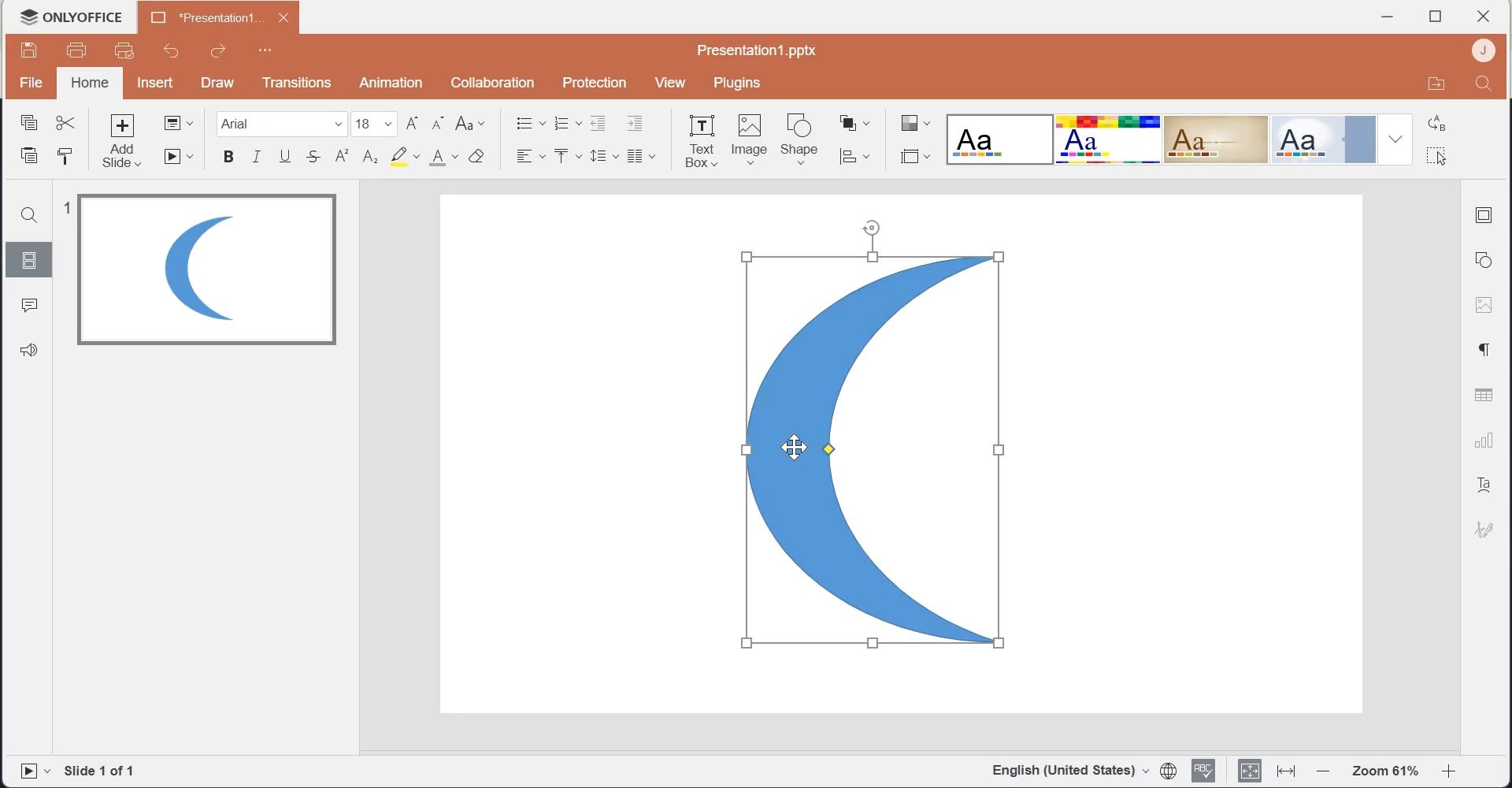 Image resolution: width=1512 pixels, height=788 pixels. What do you see at coordinates (314, 156) in the screenshot?
I see `Strike through` at bounding box center [314, 156].